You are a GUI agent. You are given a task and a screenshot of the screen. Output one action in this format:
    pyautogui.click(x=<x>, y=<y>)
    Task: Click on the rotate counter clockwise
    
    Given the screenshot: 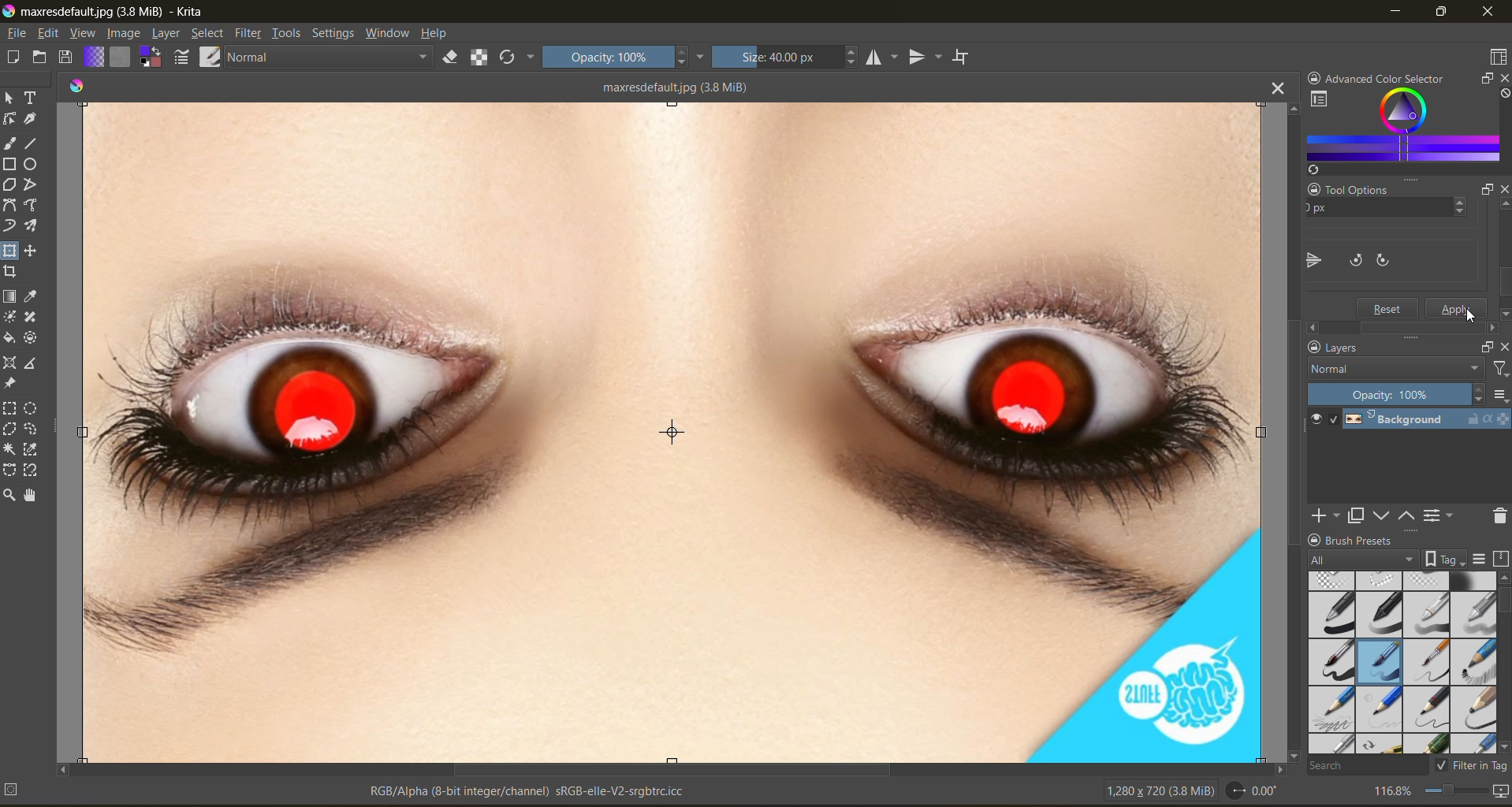 What is the action you would take?
    pyautogui.click(x=1393, y=258)
    